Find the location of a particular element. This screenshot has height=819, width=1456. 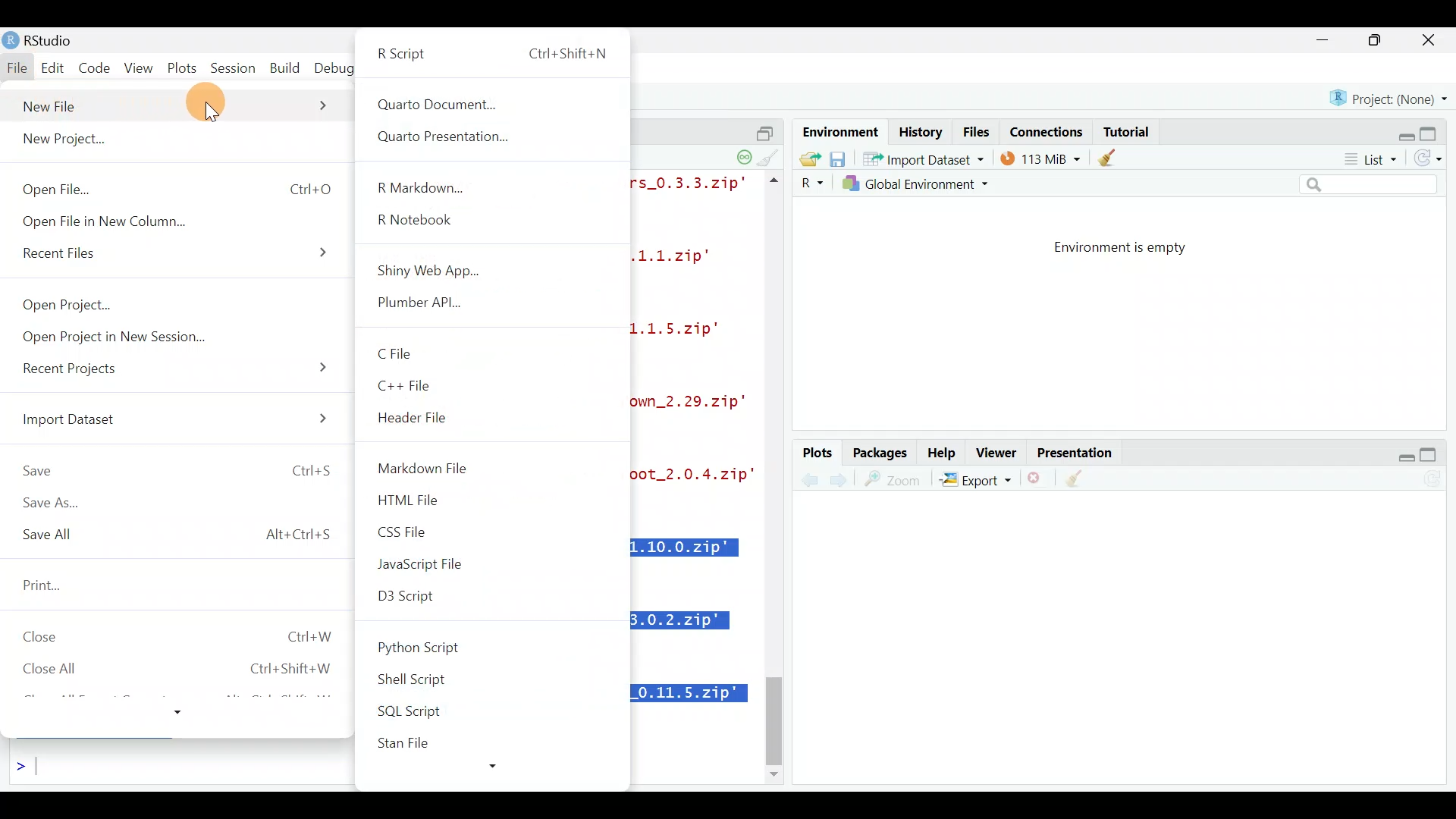

Stan File is located at coordinates (422, 745).